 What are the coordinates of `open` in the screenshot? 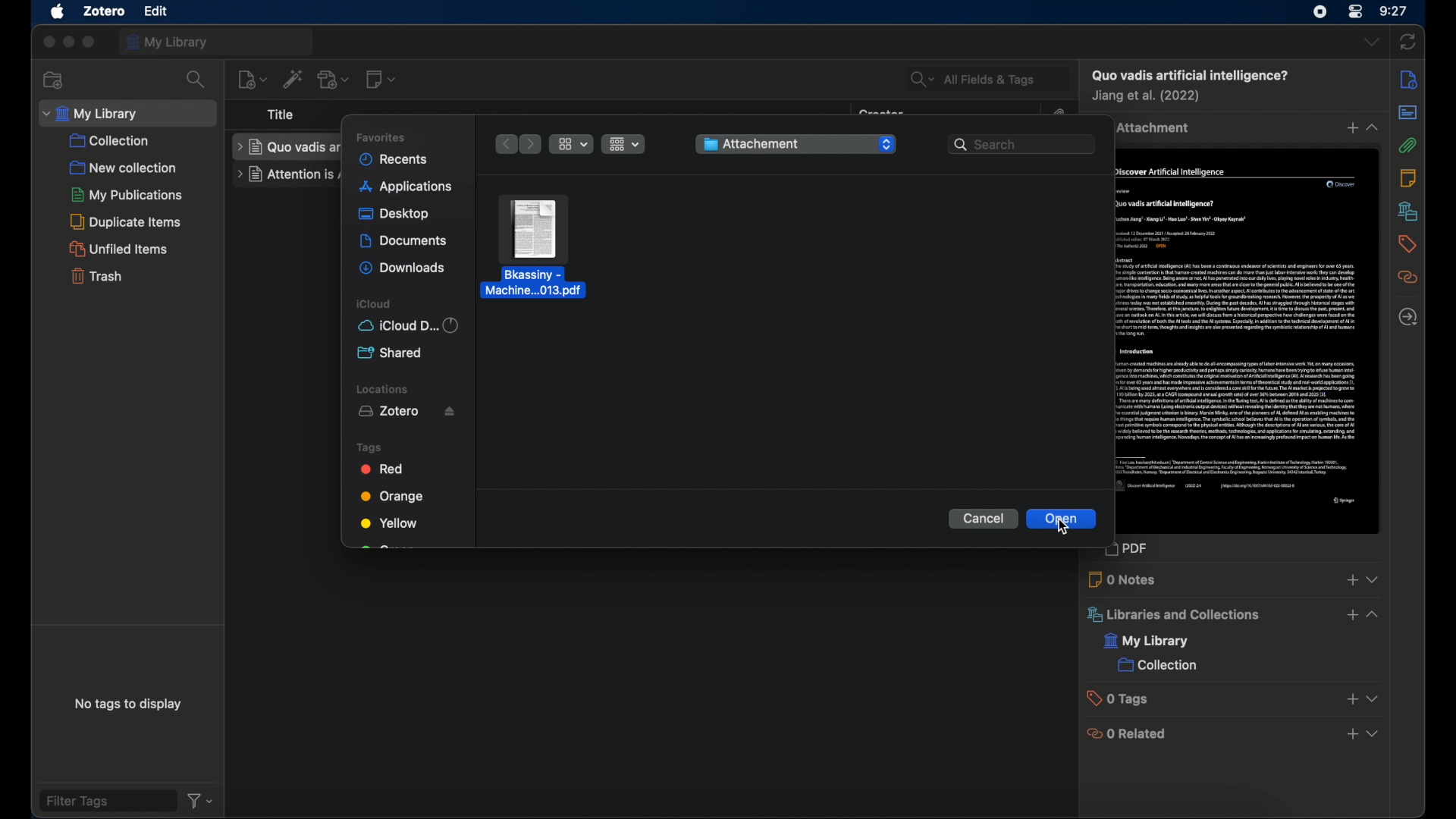 It's located at (1062, 518).